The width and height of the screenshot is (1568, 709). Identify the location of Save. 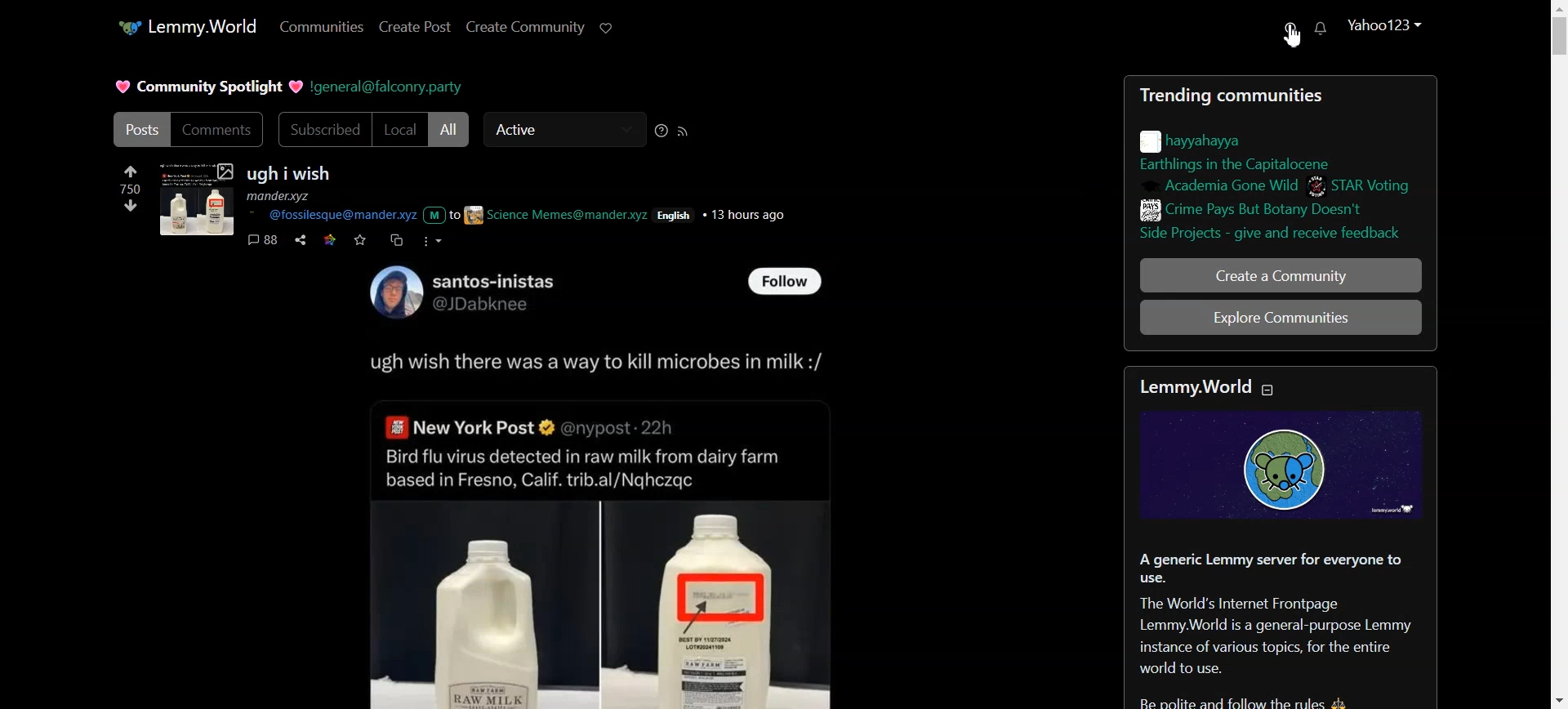
(361, 240).